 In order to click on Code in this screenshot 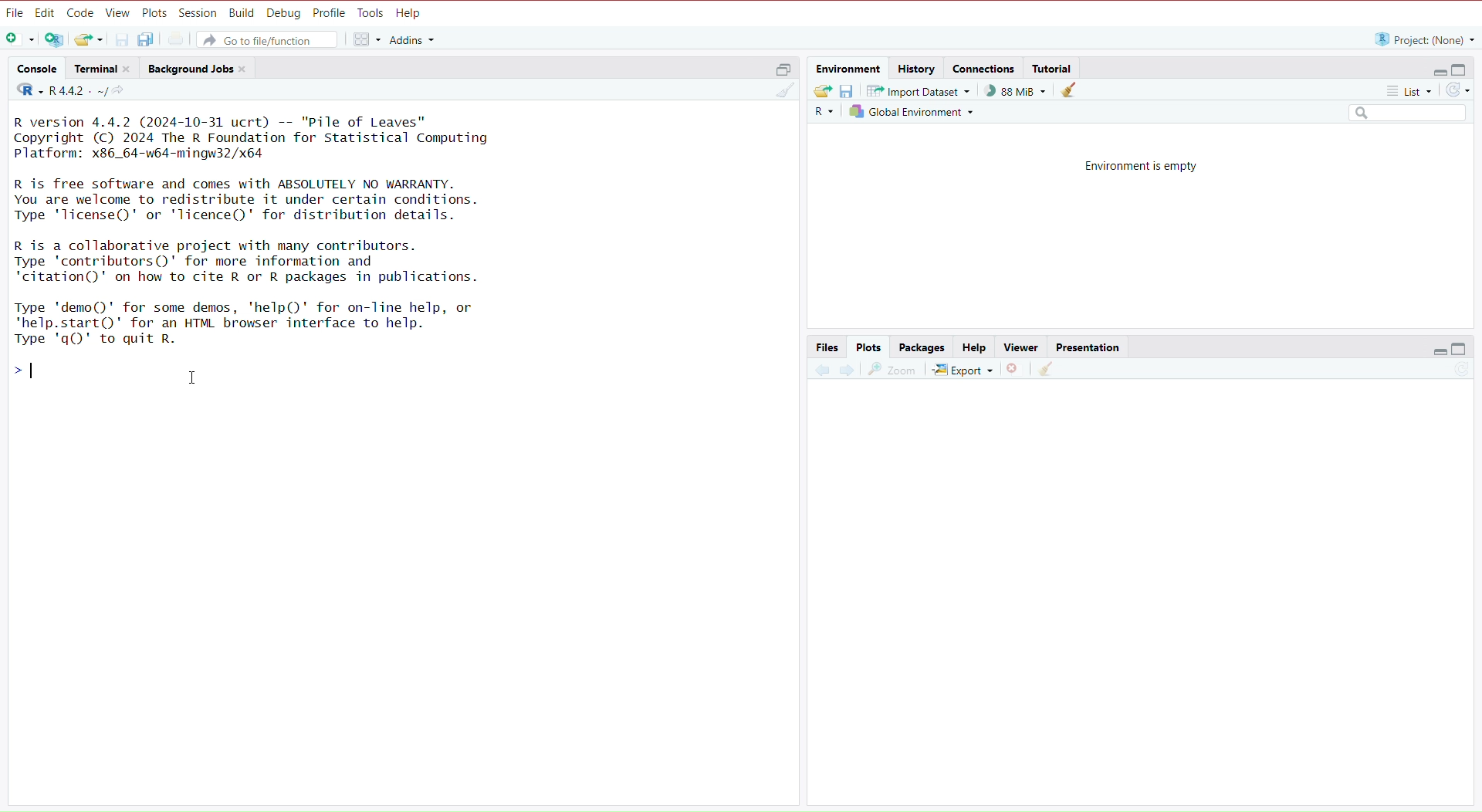, I will do `click(82, 12)`.